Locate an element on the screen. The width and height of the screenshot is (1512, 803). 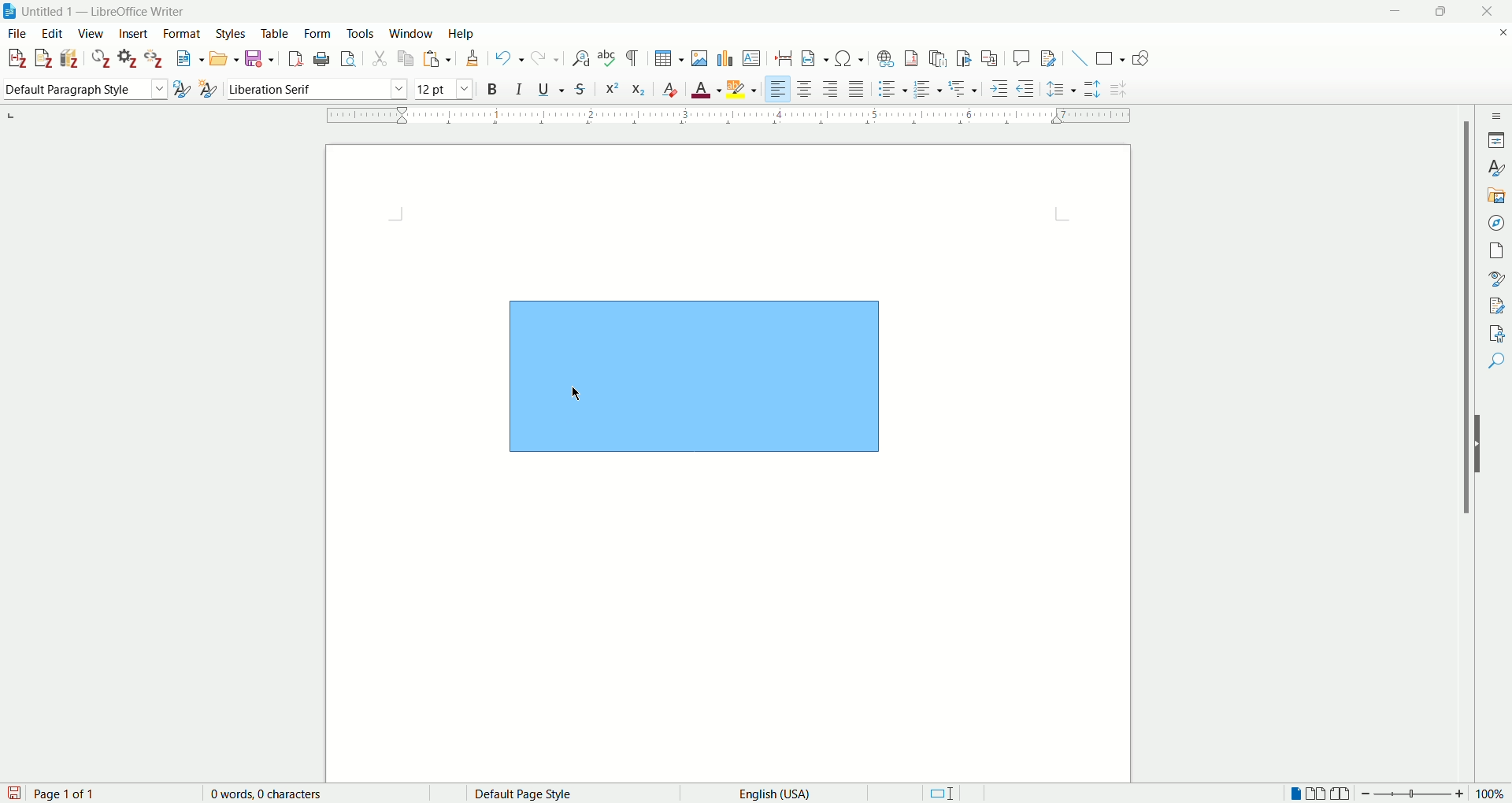
format is located at coordinates (182, 34).